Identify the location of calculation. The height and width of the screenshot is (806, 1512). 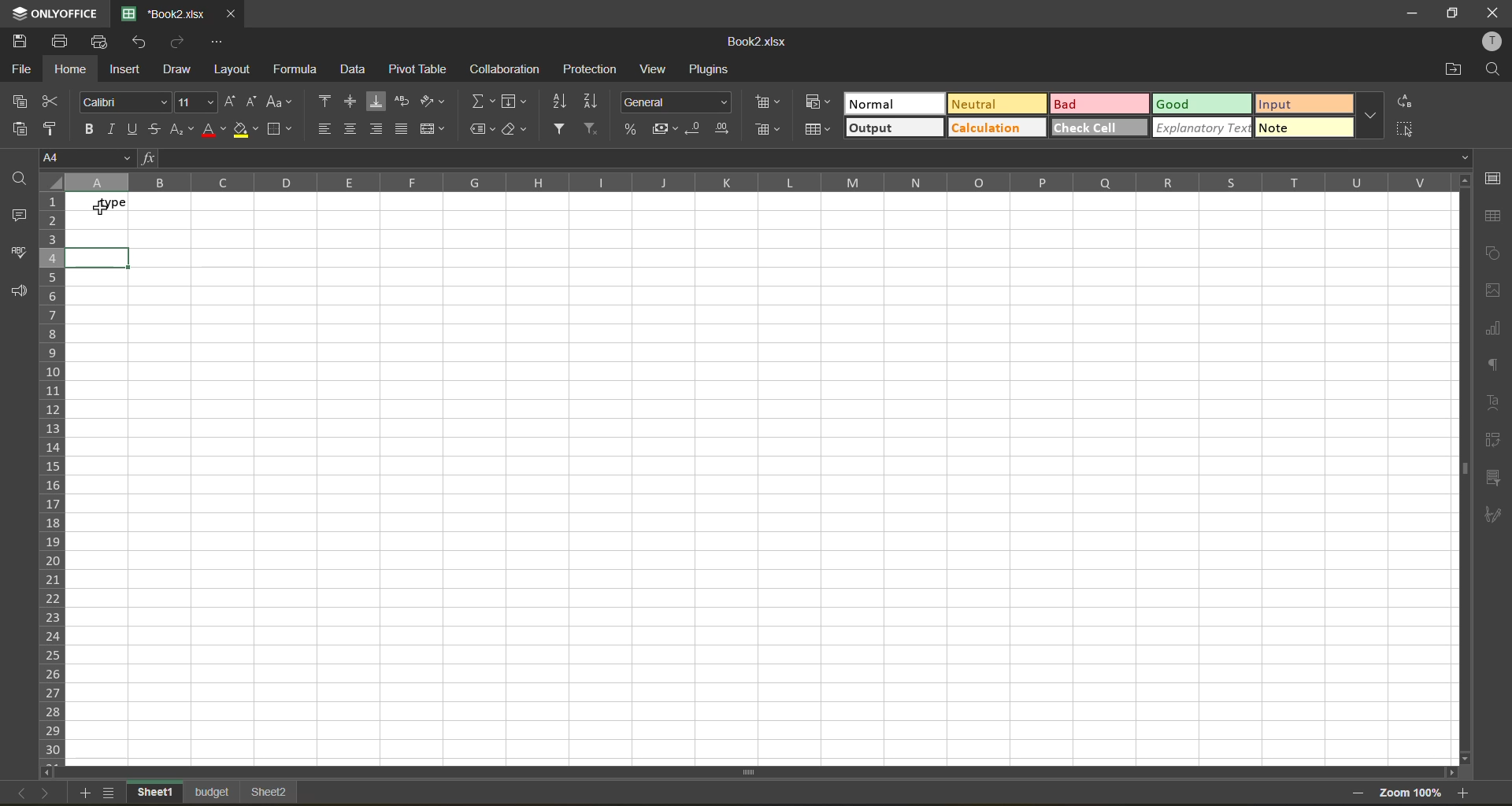
(995, 127).